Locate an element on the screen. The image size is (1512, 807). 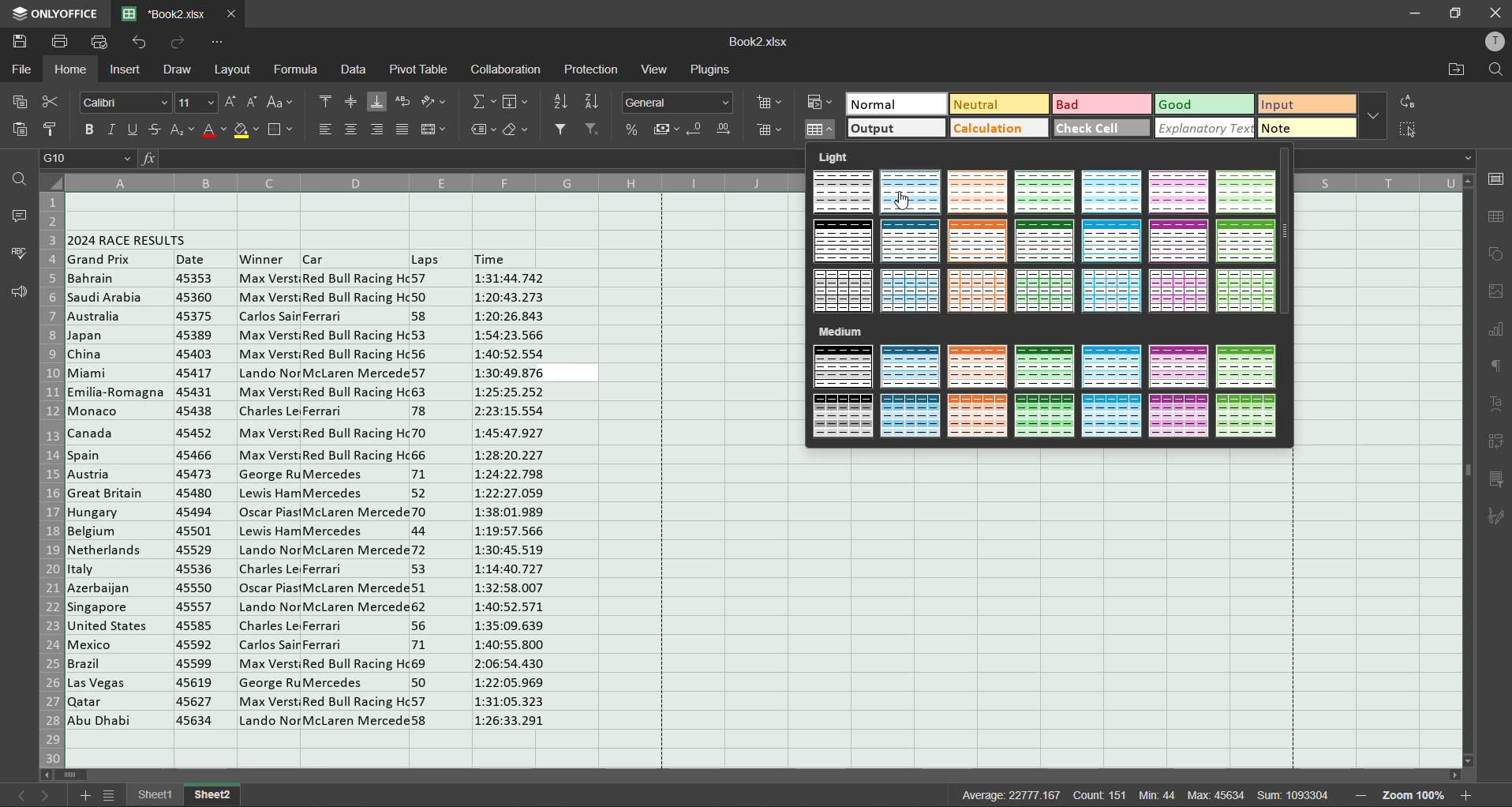
fx is located at coordinates (151, 160).